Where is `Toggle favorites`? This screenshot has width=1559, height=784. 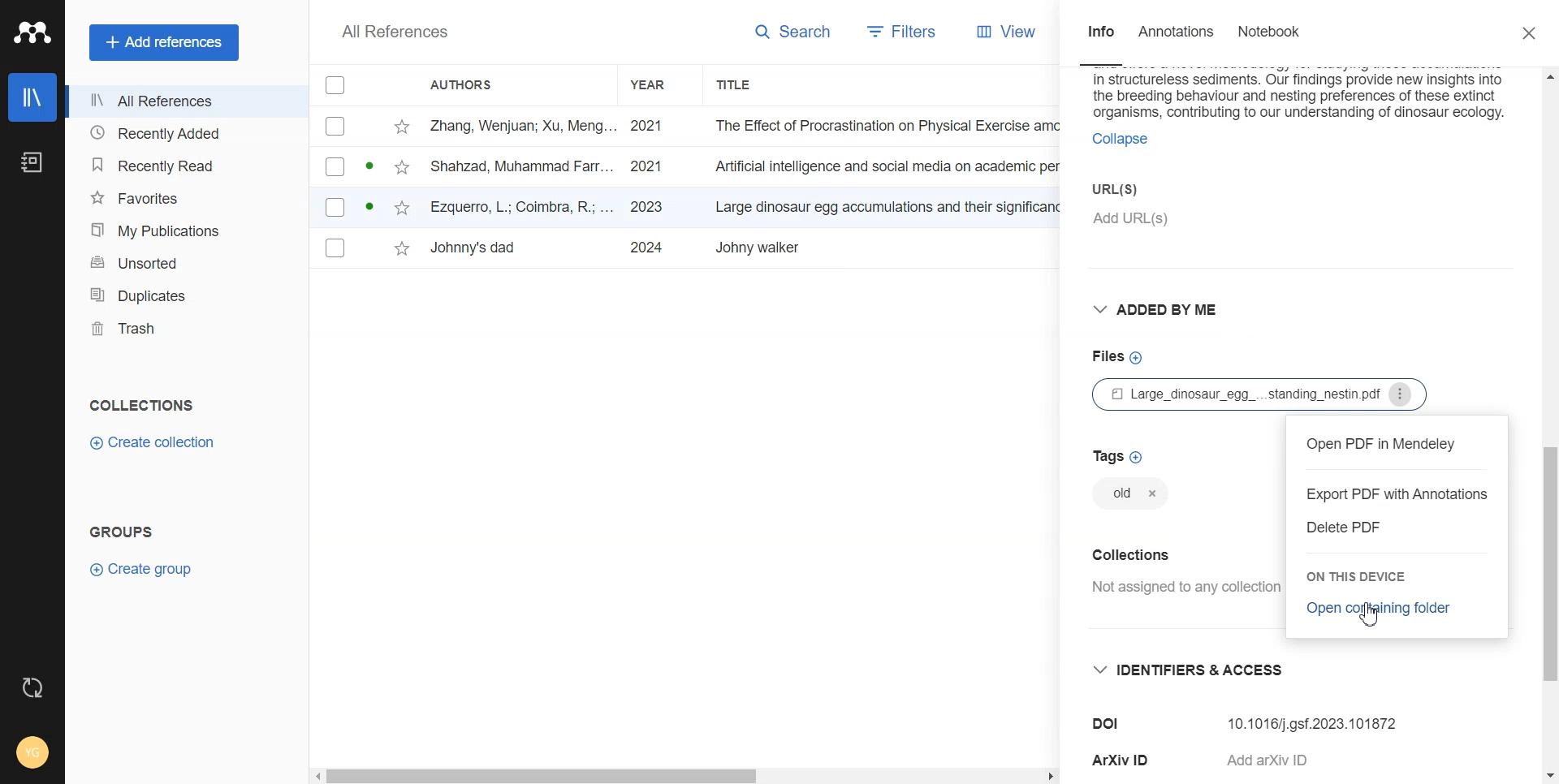
Toggle favorites is located at coordinates (403, 166).